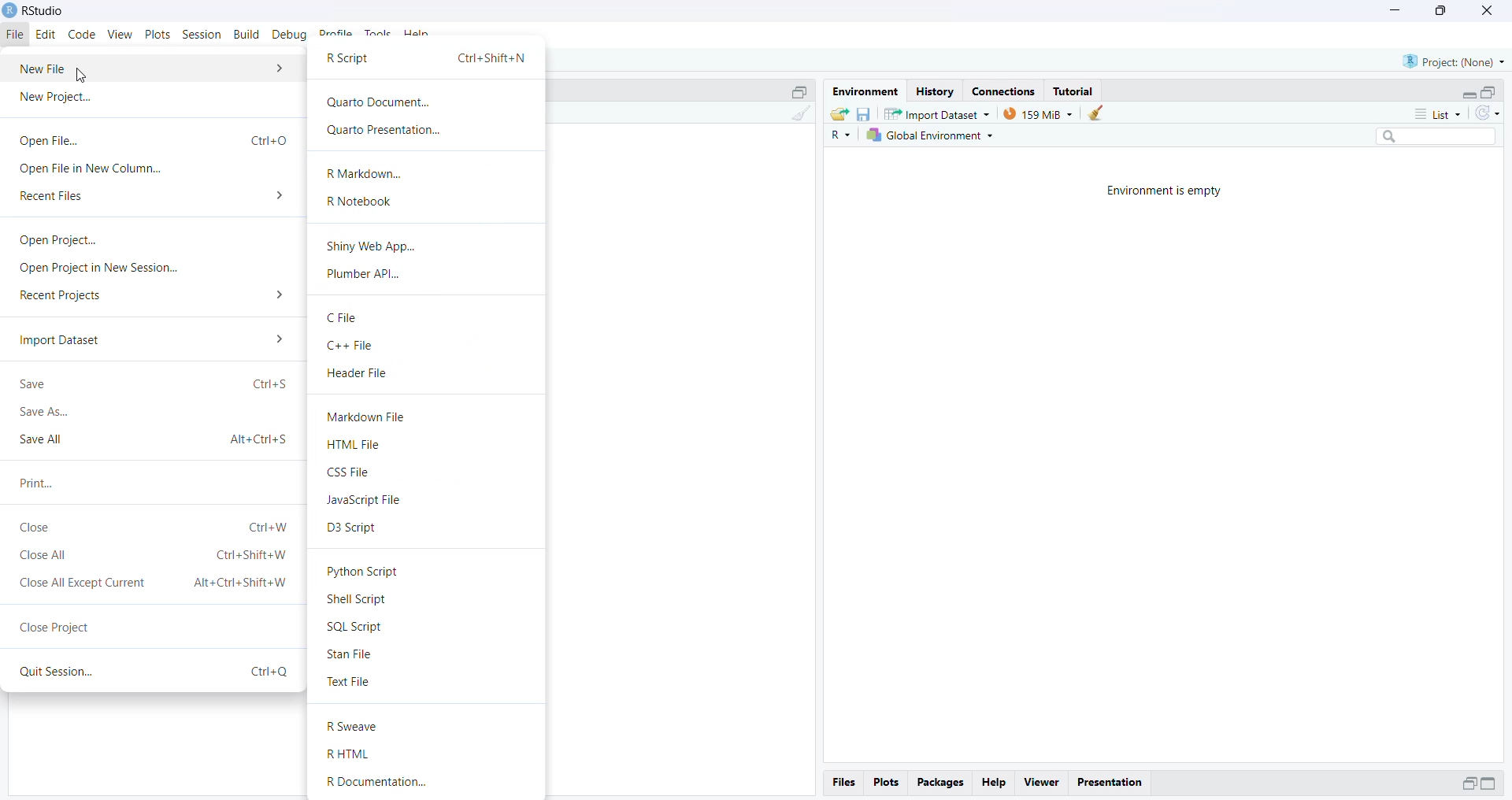  Describe the element at coordinates (153, 439) in the screenshot. I see `Save All Alt+Ctrl+S` at that location.